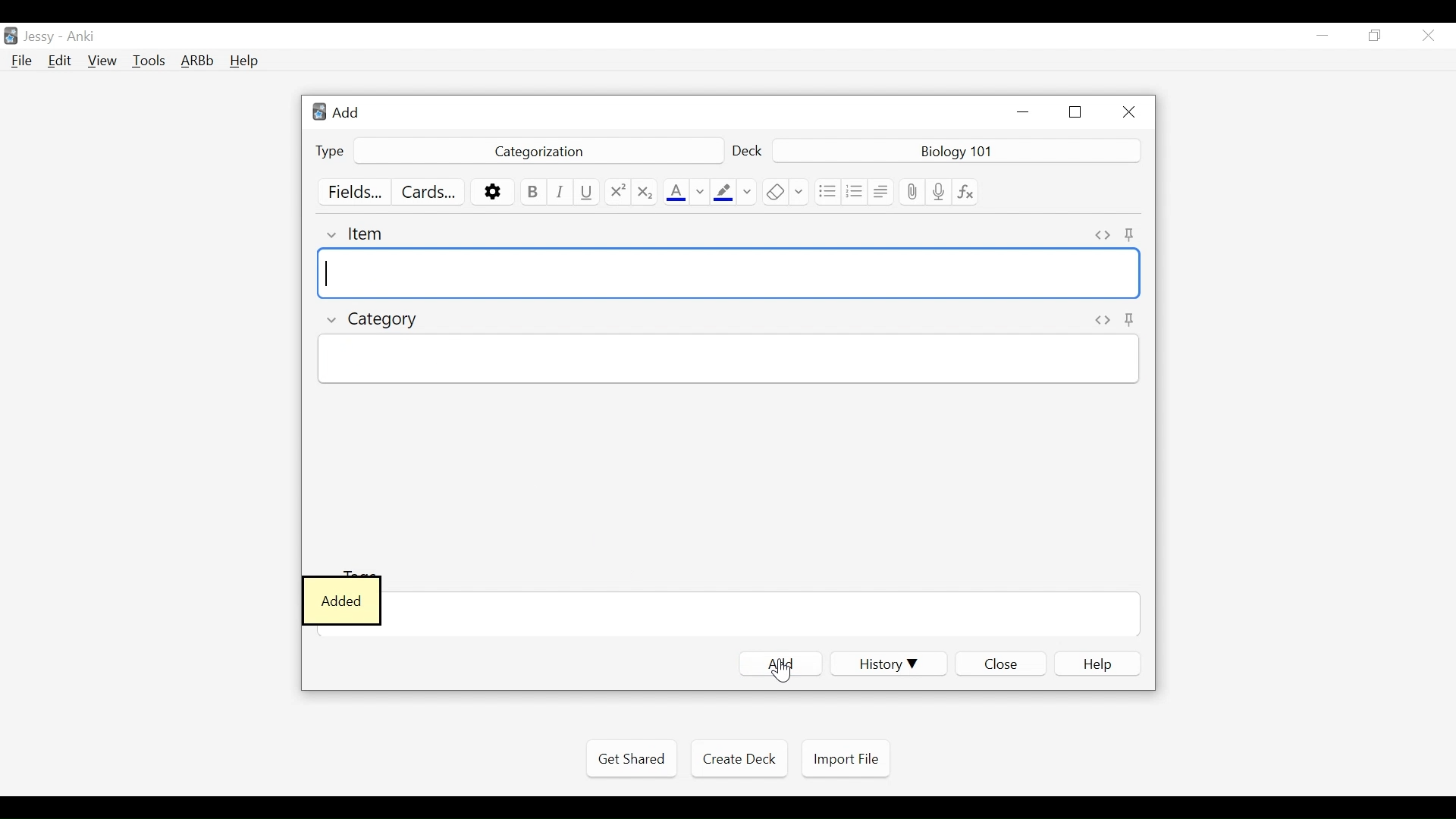 Image resolution: width=1456 pixels, height=819 pixels. What do you see at coordinates (1103, 235) in the screenshot?
I see `Toggle HTML Editor` at bounding box center [1103, 235].